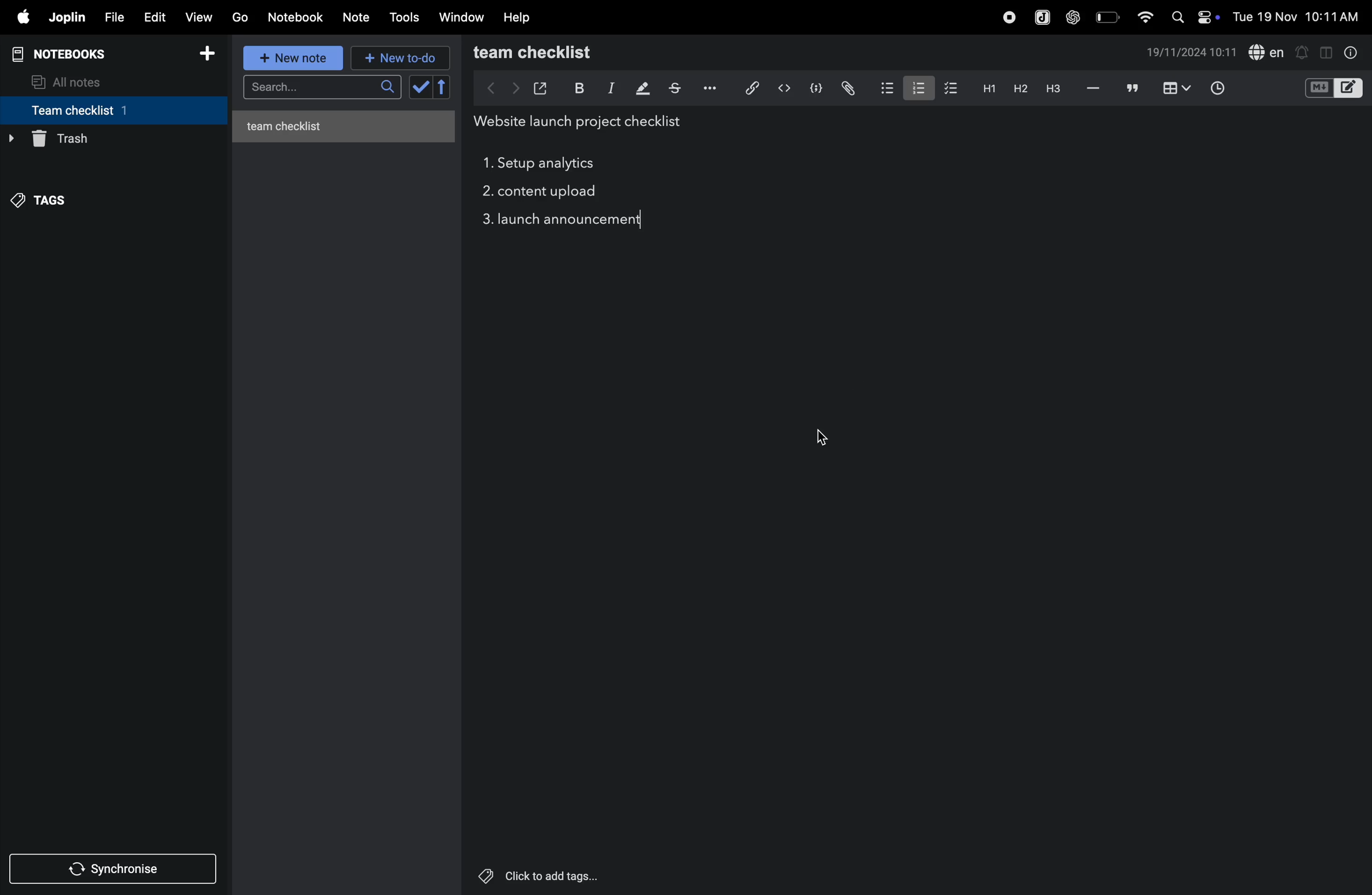 The image size is (1372, 895). Describe the element at coordinates (557, 52) in the screenshot. I see `team checklist` at that location.